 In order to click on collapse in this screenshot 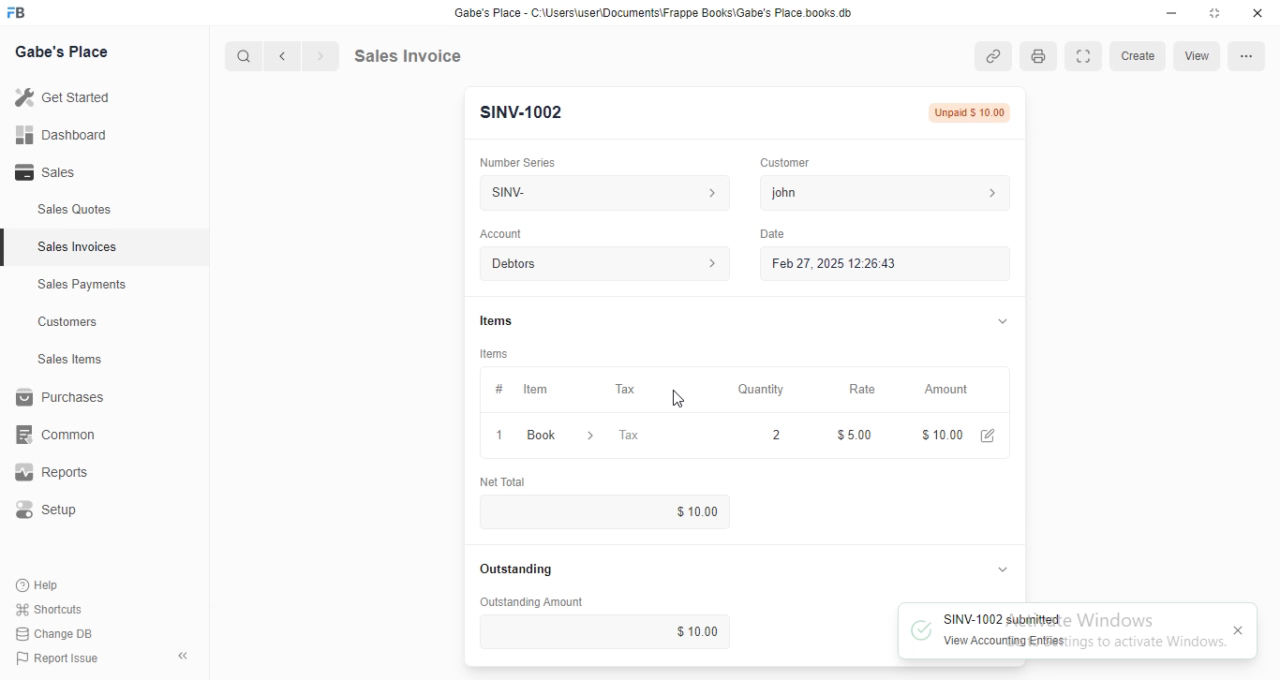, I will do `click(181, 653)`.